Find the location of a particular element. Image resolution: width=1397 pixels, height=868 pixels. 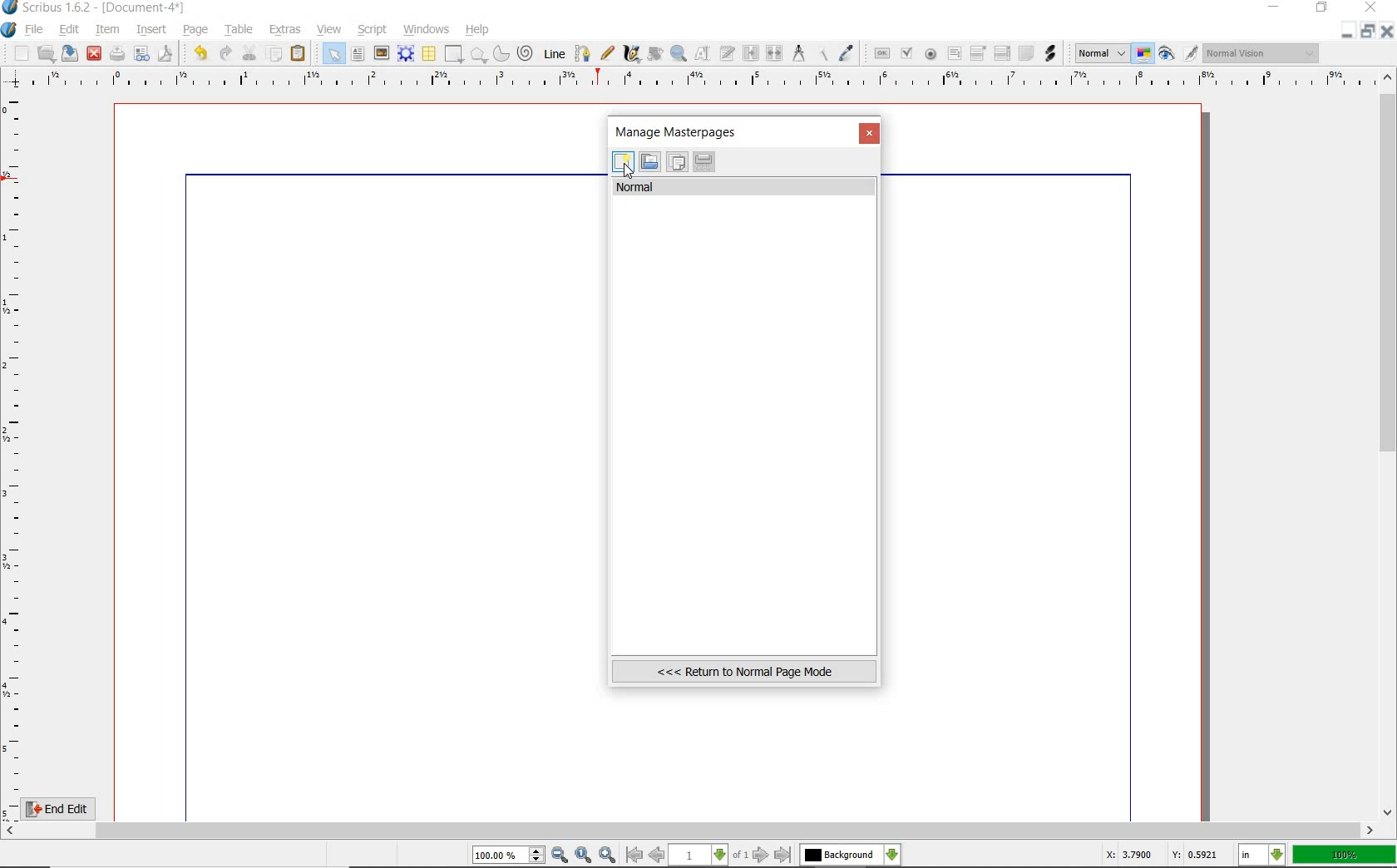

restore is located at coordinates (1370, 32).